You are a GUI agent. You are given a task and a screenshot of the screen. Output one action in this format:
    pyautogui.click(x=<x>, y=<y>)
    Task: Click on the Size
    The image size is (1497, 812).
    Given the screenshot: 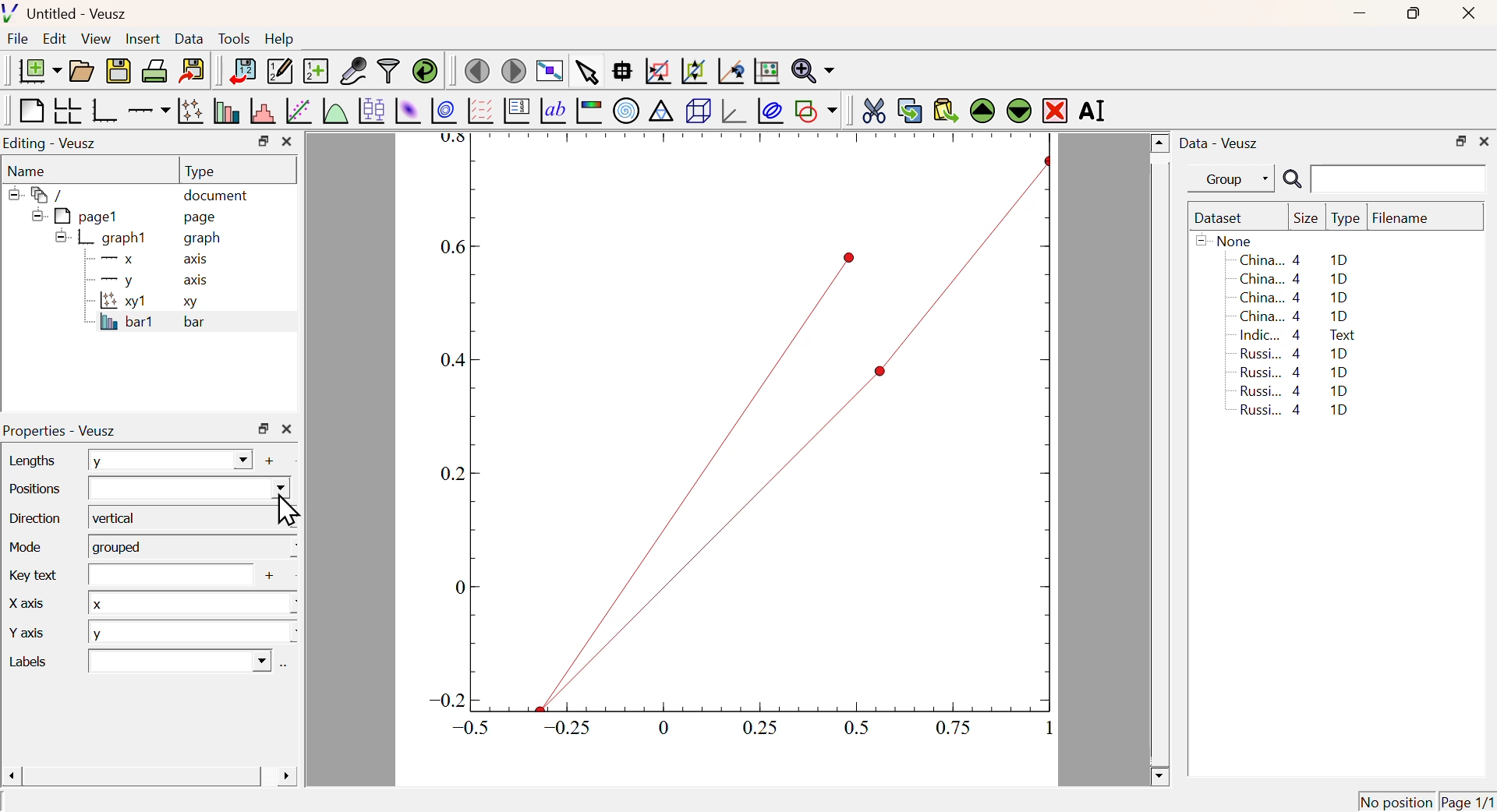 What is the action you would take?
    pyautogui.click(x=1306, y=219)
    